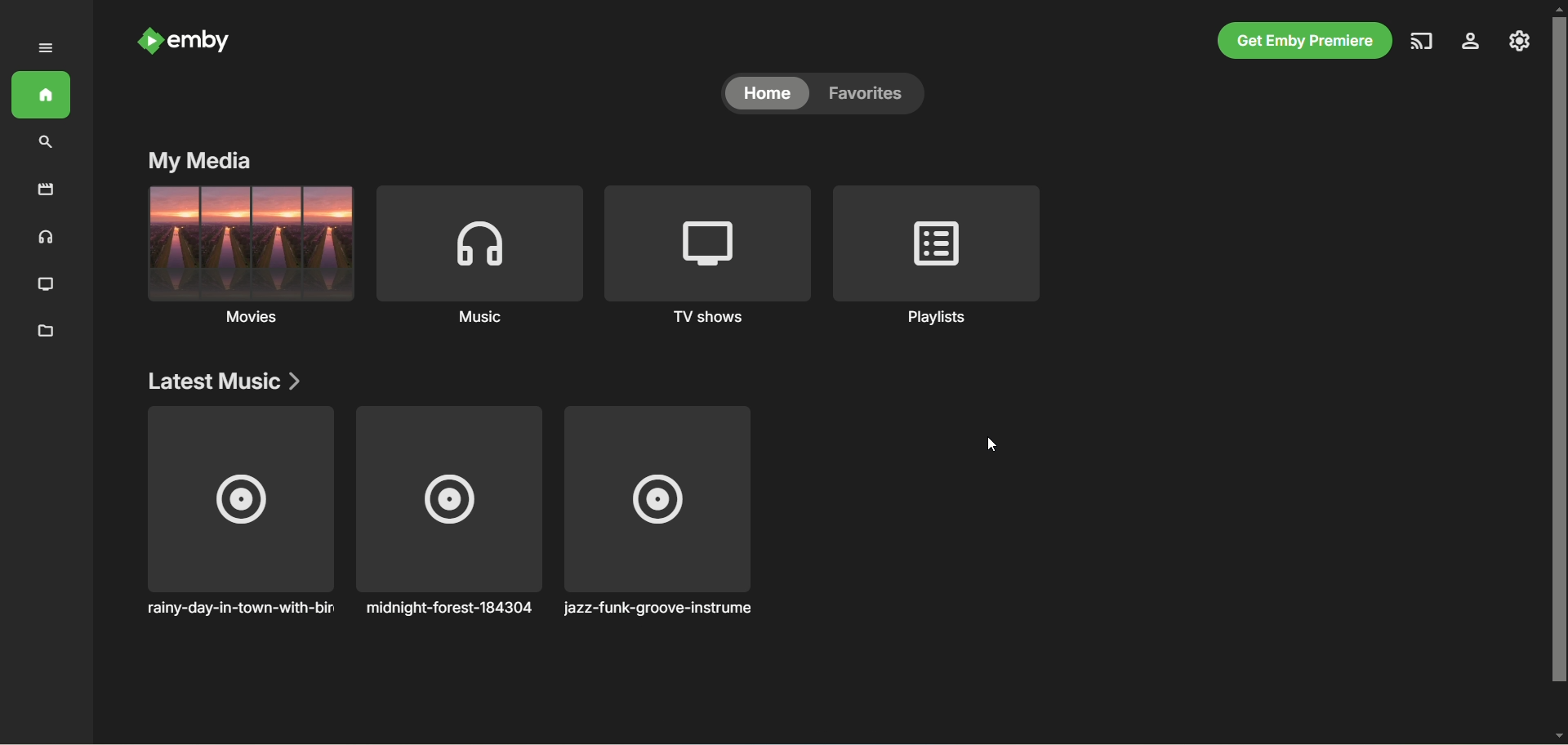 Image resolution: width=1568 pixels, height=745 pixels. I want to click on movies, so click(248, 260).